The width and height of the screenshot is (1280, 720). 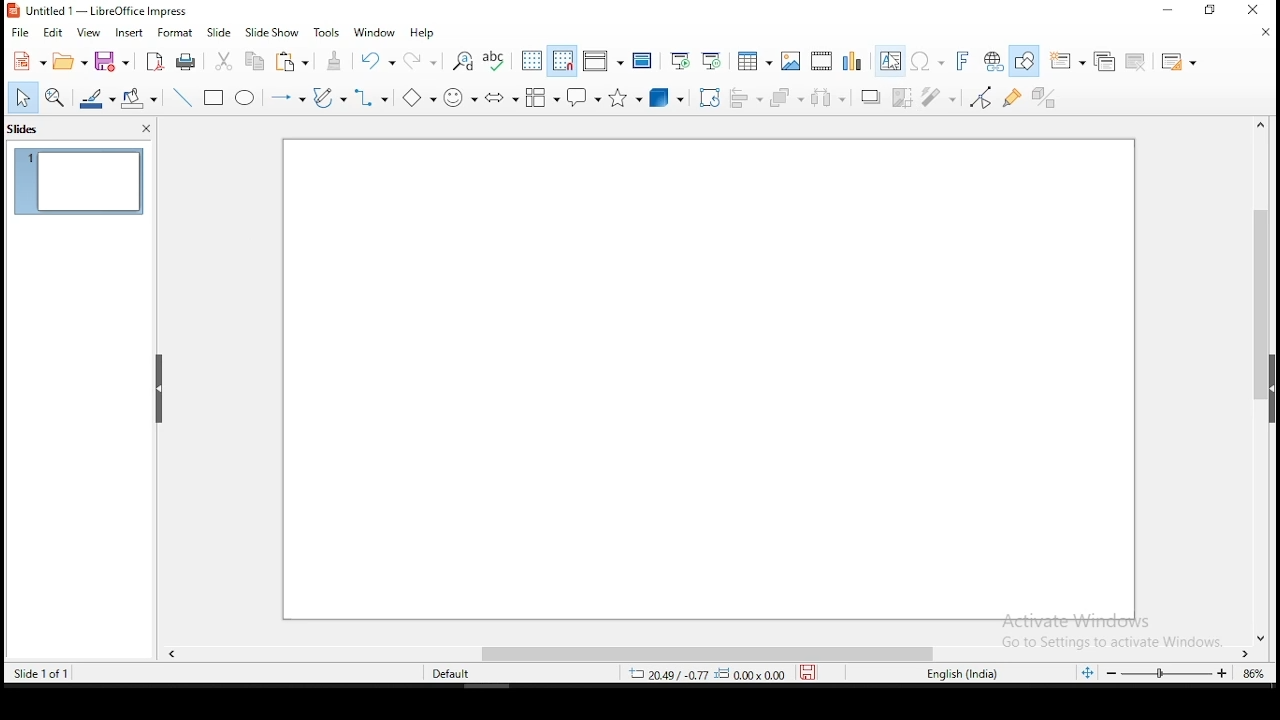 What do you see at coordinates (992, 60) in the screenshot?
I see `insert hyperlink` at bounding box center [992, 60].